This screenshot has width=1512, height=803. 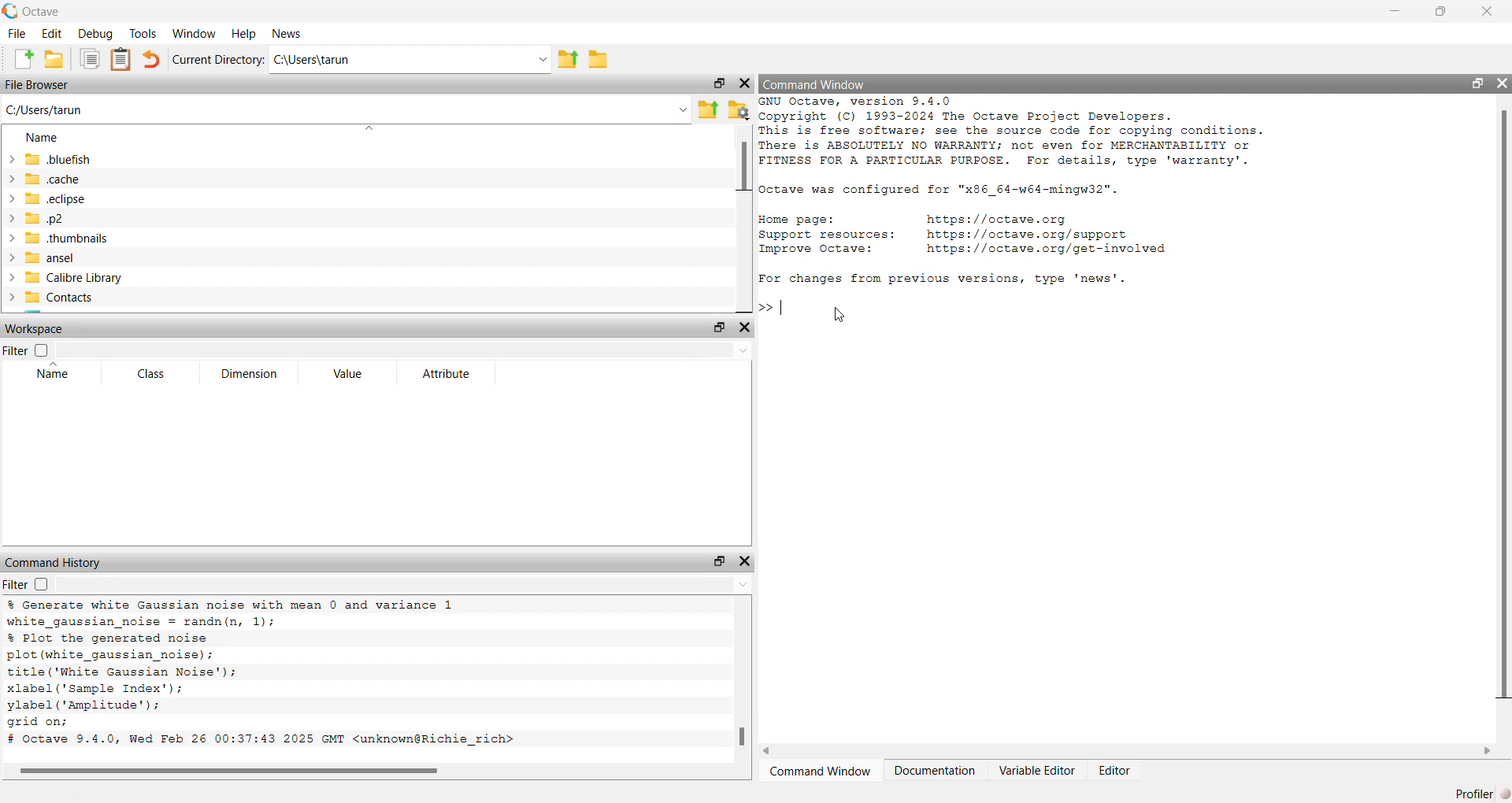 What do you see at coordinates (1480, 85) in the screenshot?
I see `restore down` at bounding box center [1480, 85].